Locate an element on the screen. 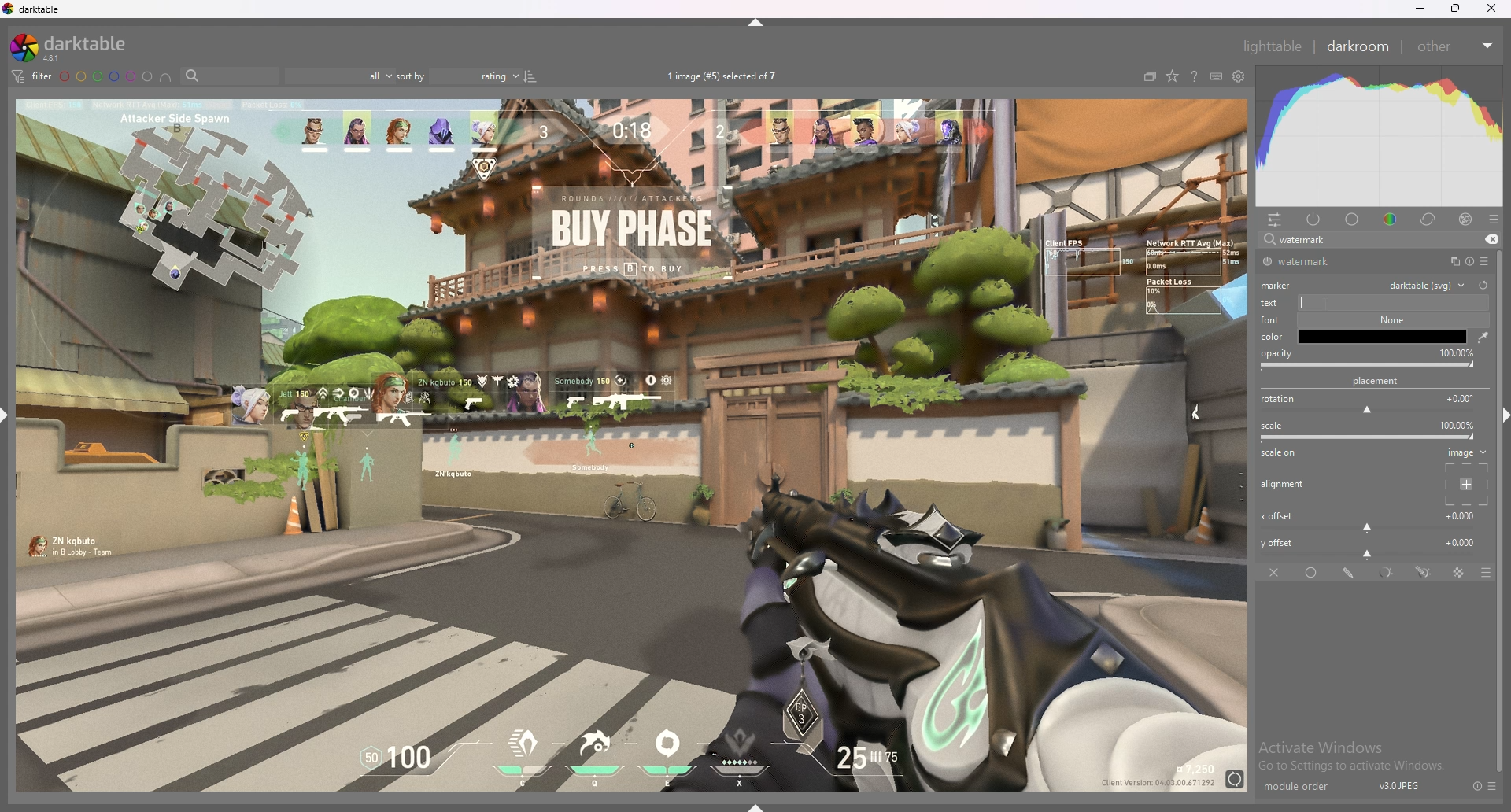 The height and width of the screenshot is (812, 1511). marker type is located at coordinates (1426, 284).